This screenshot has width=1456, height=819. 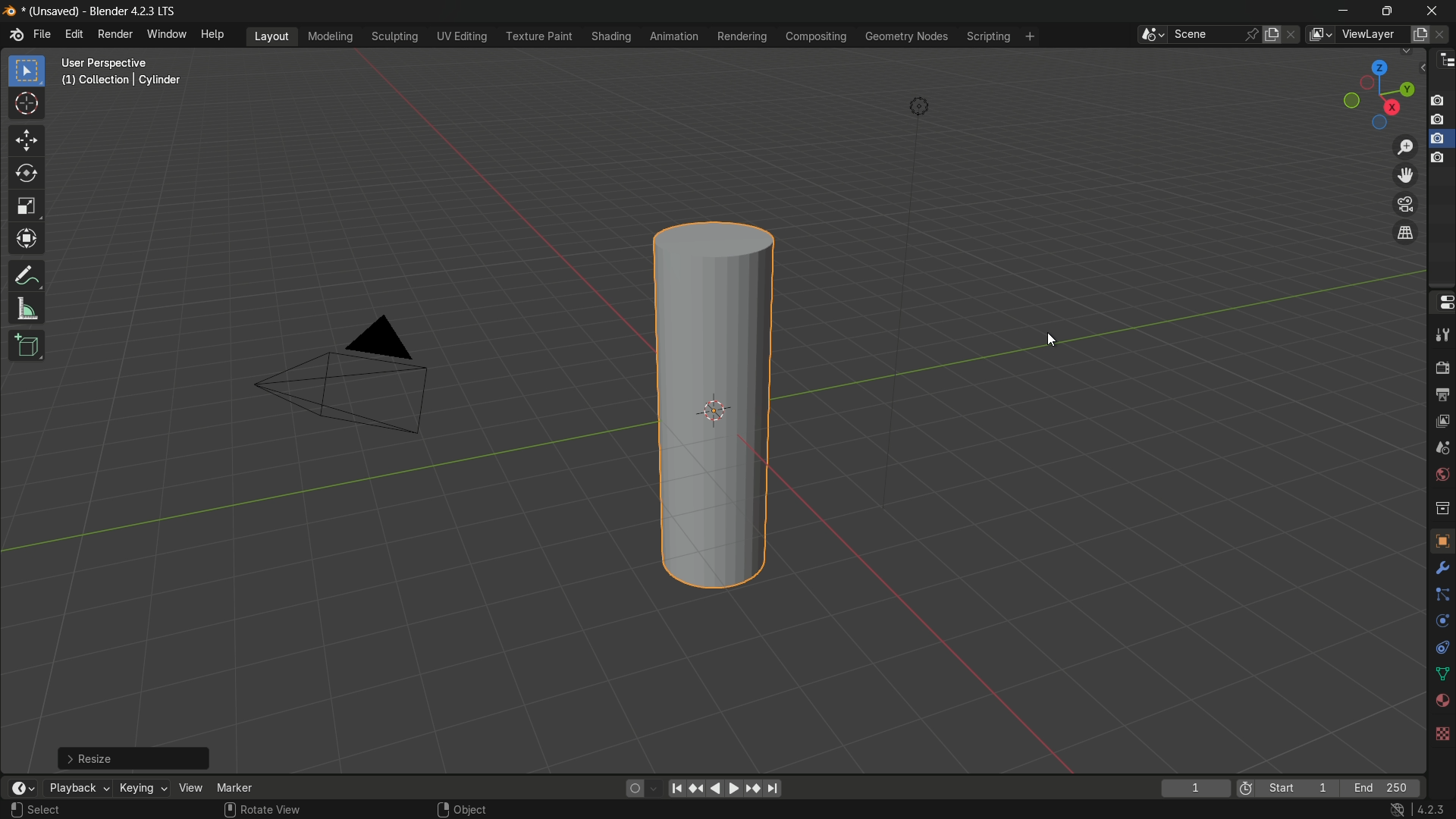 I want to click on layer 2, so click(x=1440, y=119).